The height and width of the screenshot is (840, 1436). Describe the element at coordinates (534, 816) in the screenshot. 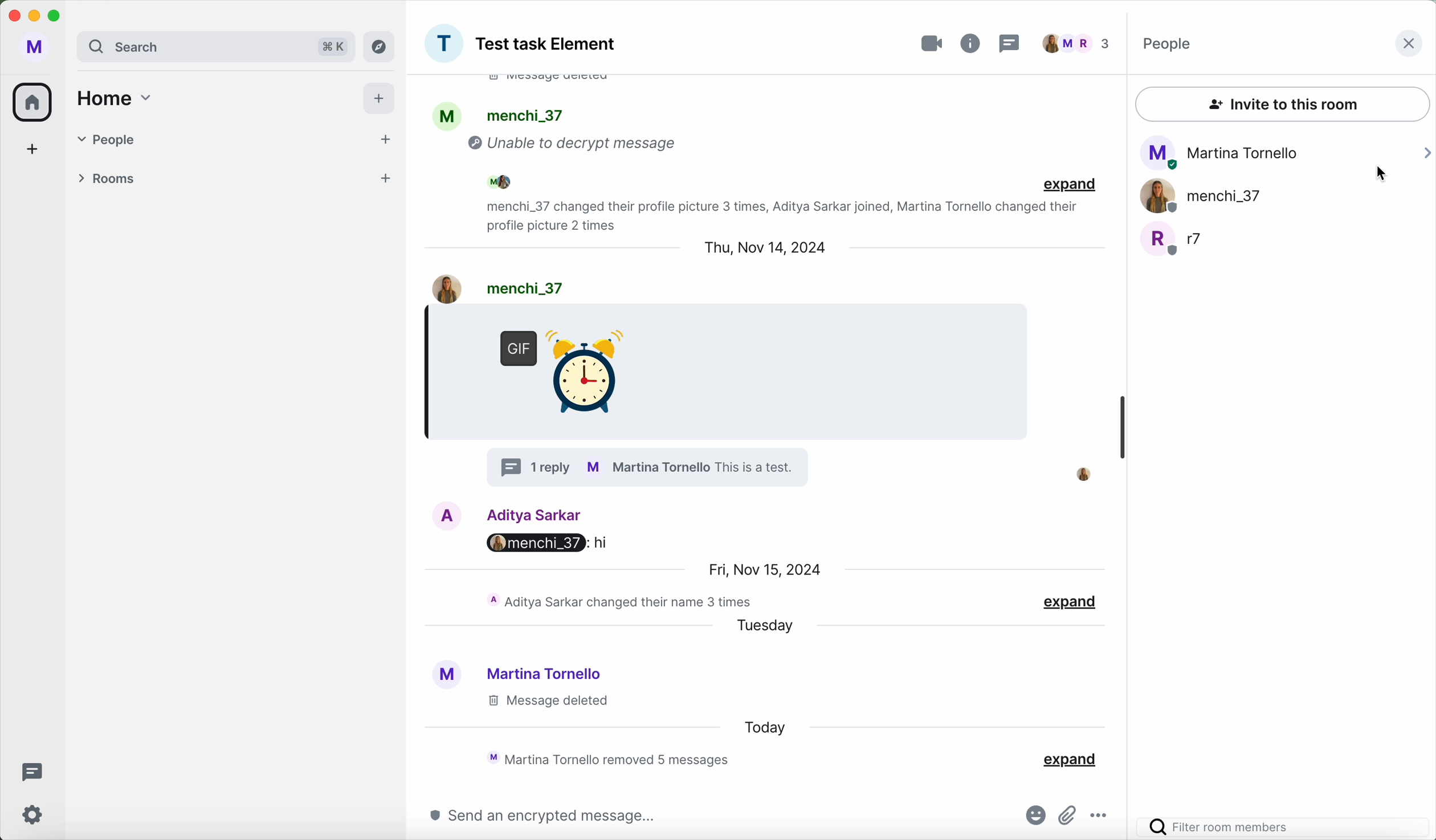

I see `send an encrypted message` at that location.